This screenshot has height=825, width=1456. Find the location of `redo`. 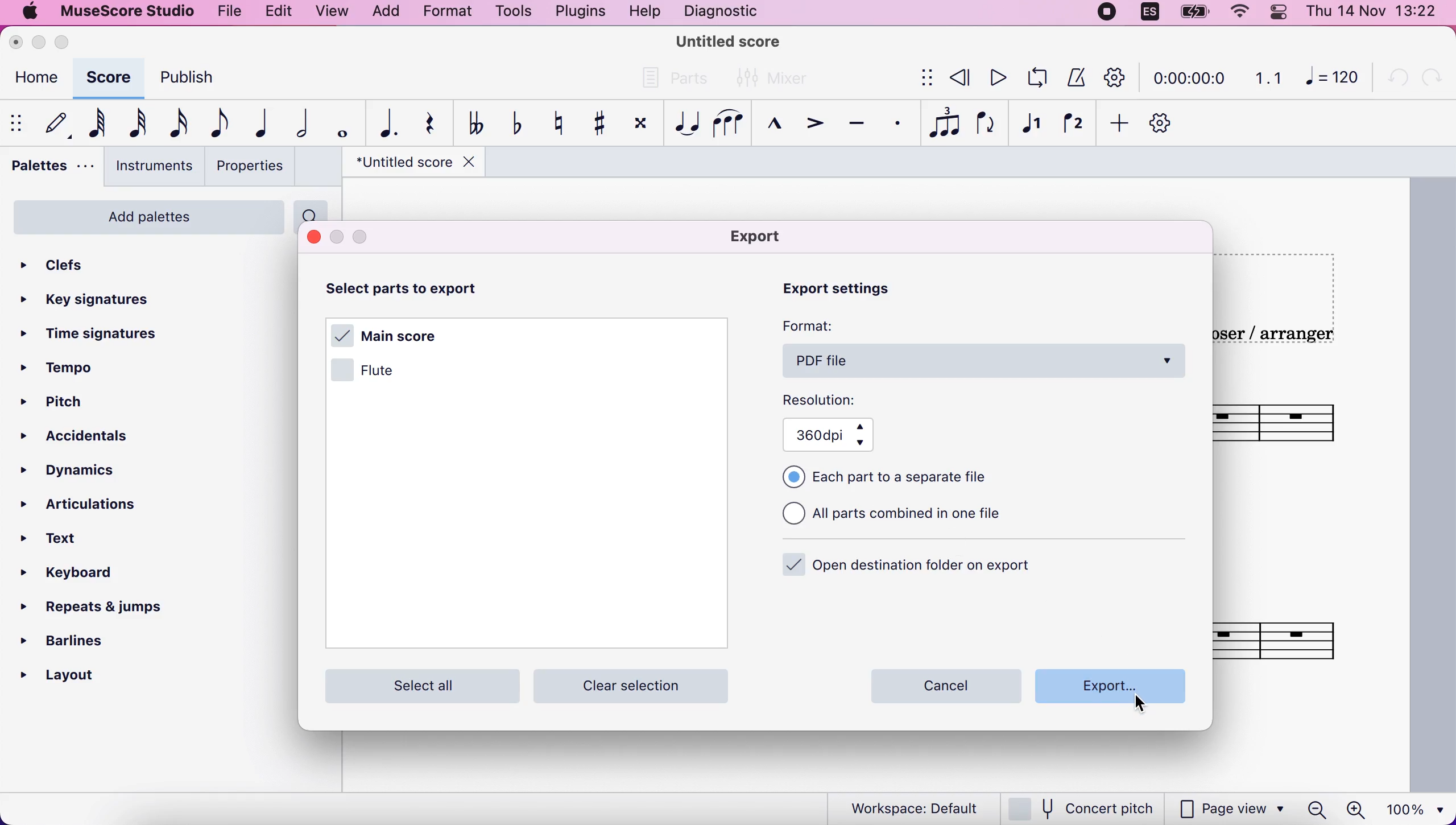

redo is located at coordinates (1432, 81).